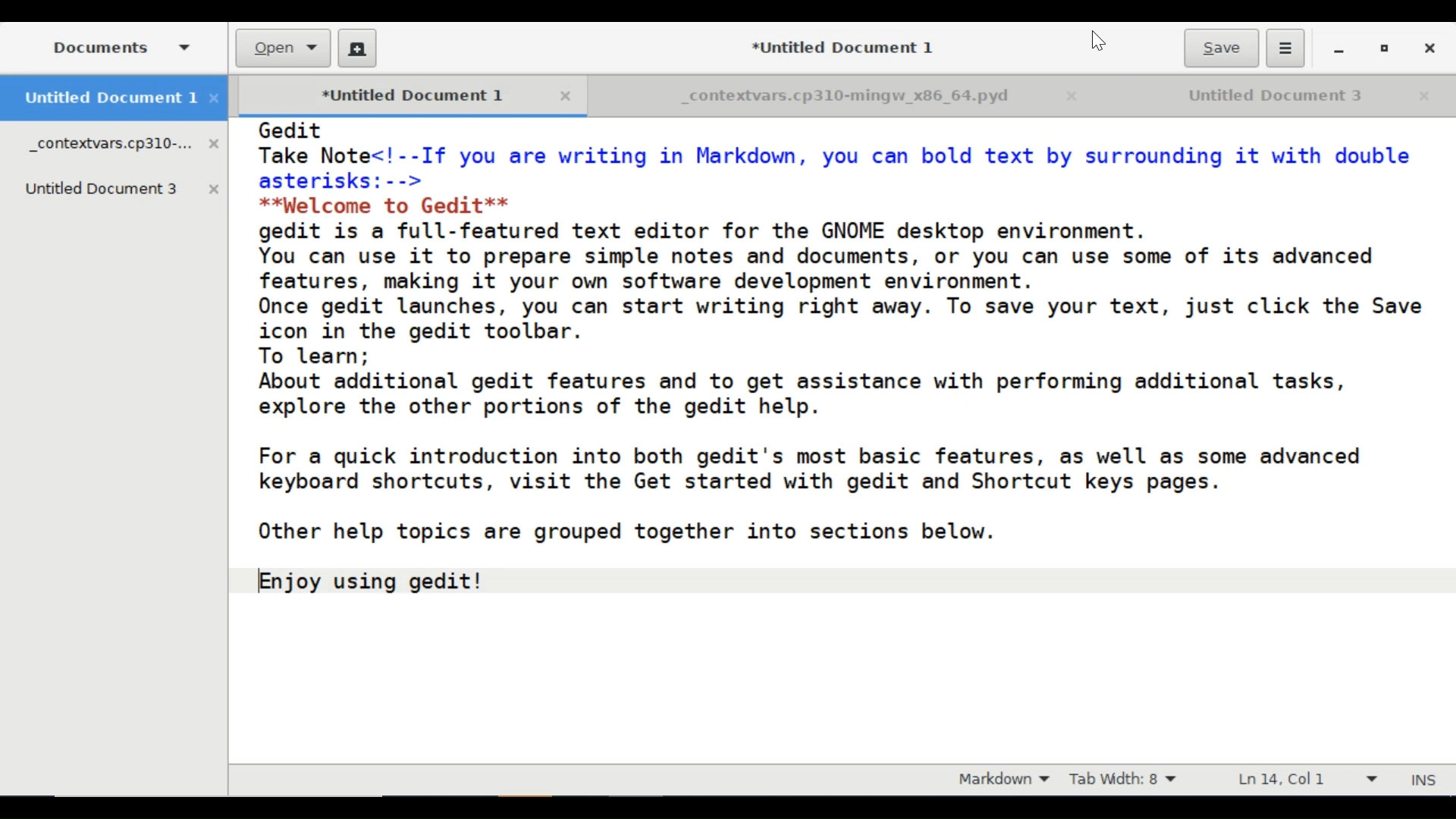 The height and width of the screenshot is (819, 1456). Describe the element at coordinates (1285, 48) in the screenshot. I see `Application menu` at that location.